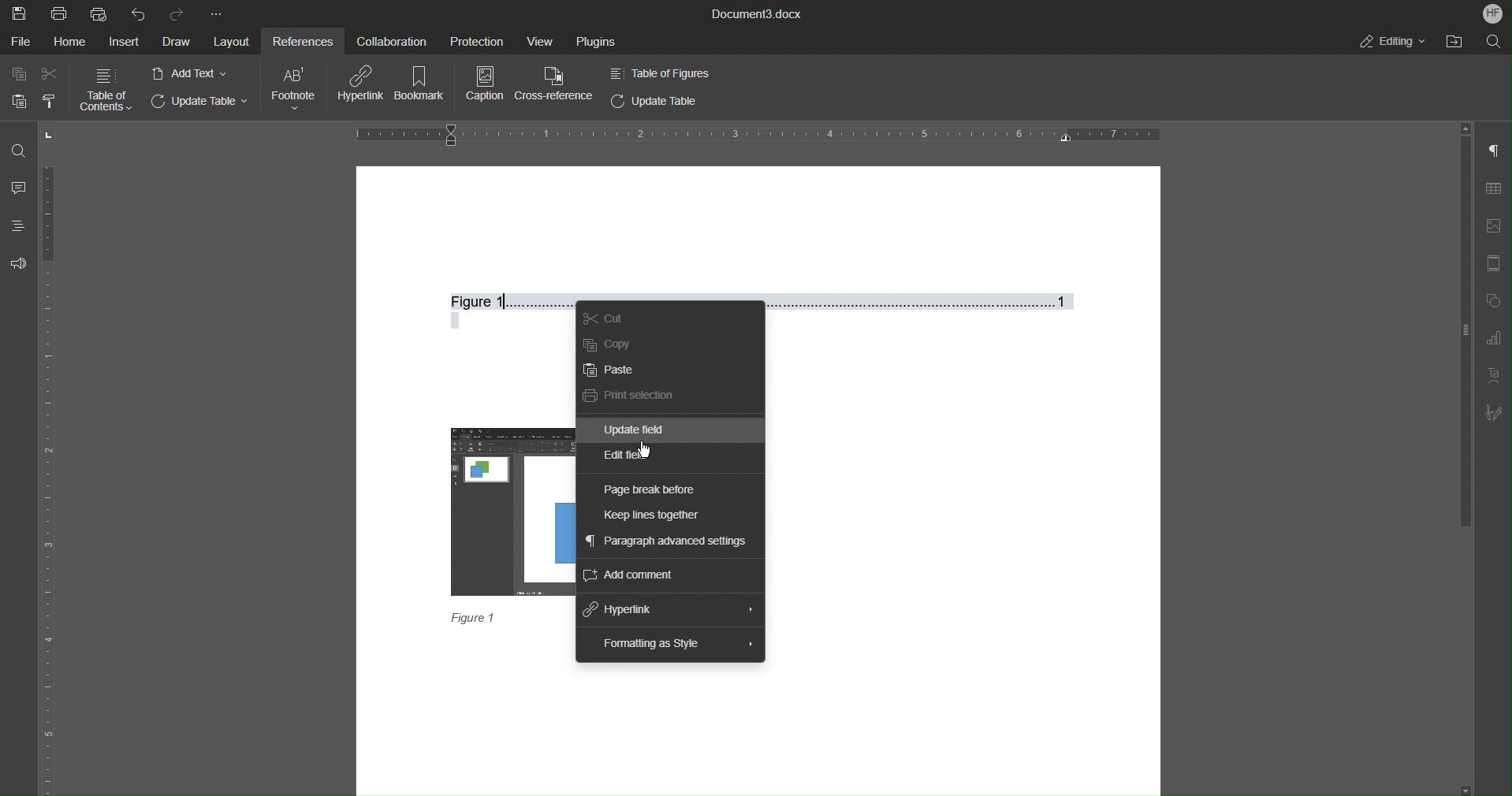 The image size is (1512, 796). What do you see at coordinates (475, 617) in the screenshot?
I see `Figure 1` at bounding box center [475, 617].